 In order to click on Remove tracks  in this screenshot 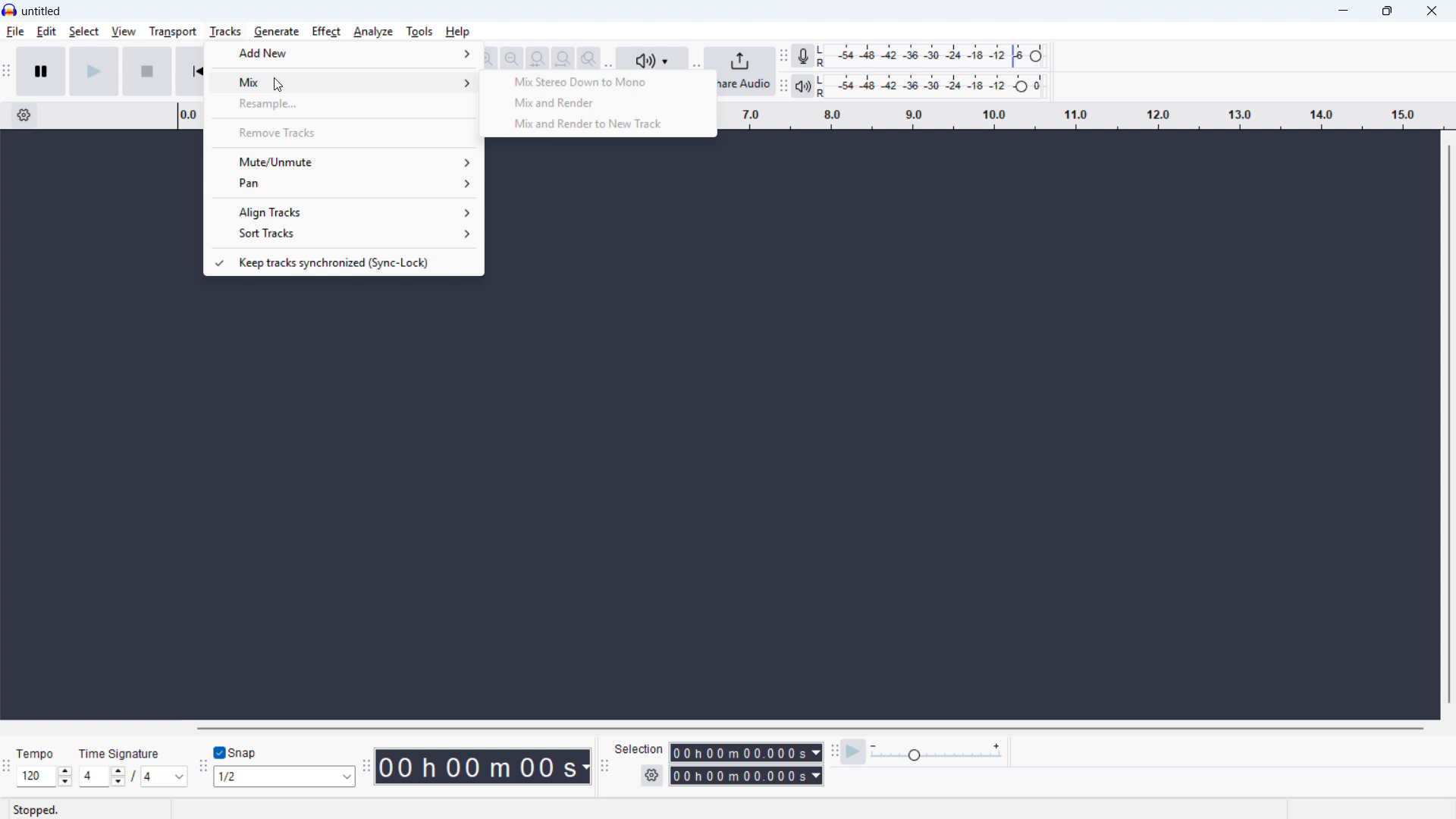, I will do `click(344, 132)`.